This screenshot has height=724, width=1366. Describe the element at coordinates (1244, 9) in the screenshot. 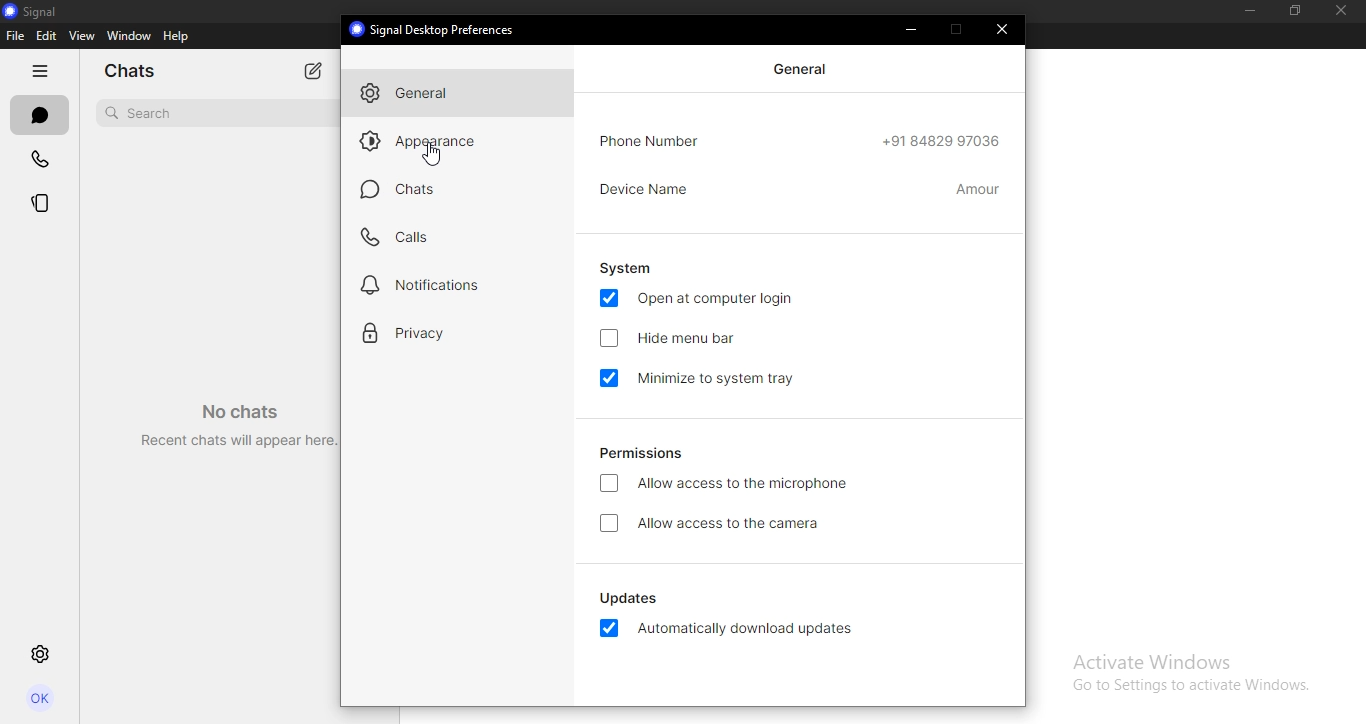

I see `minimize` at that location.